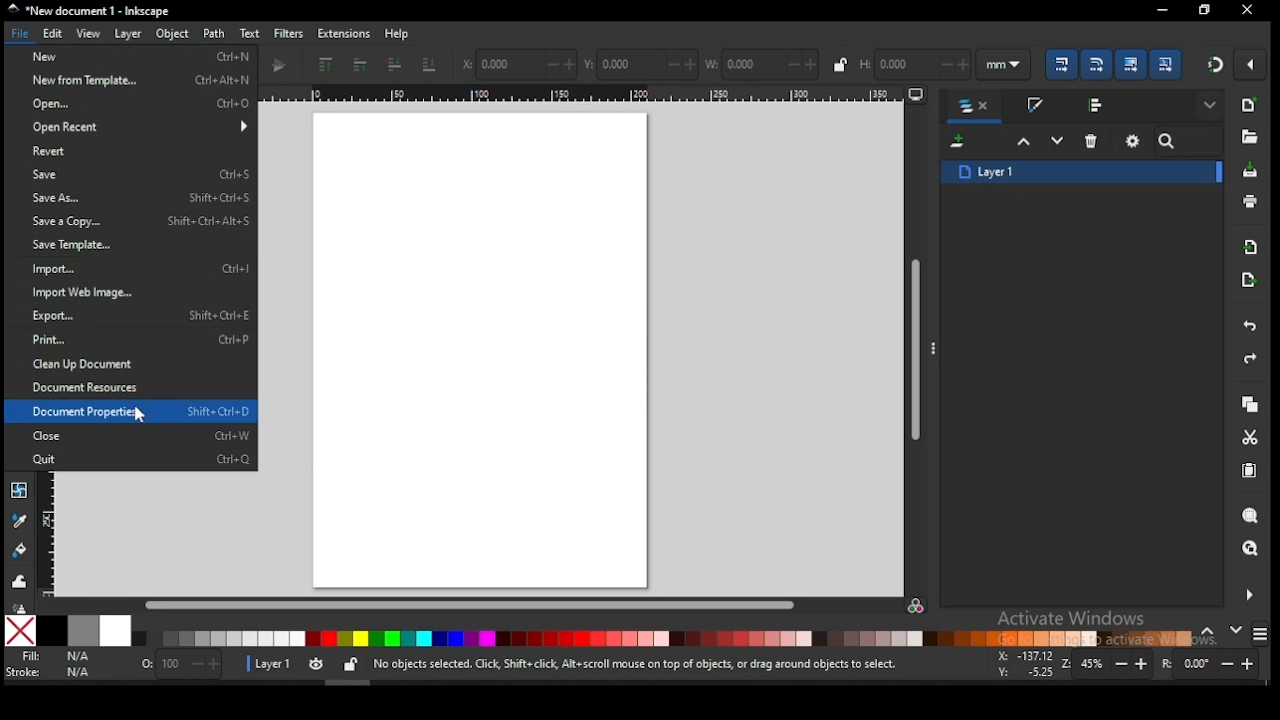 The height and width of the screenshot is (720, 1280). I want to click on paste, so click(1253, 473).